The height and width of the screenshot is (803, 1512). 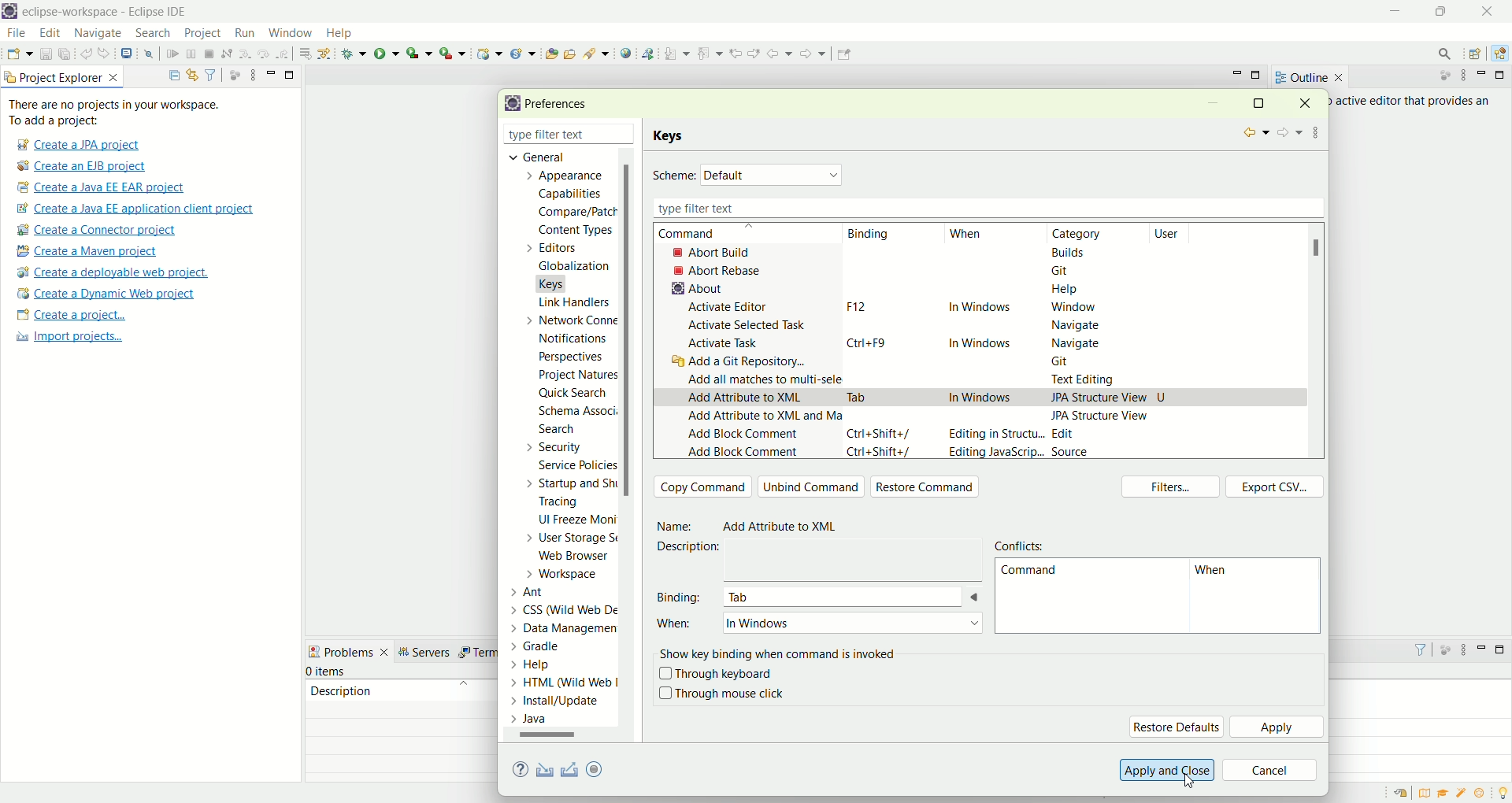 I want to click on command, so click(x=1028, y=573).